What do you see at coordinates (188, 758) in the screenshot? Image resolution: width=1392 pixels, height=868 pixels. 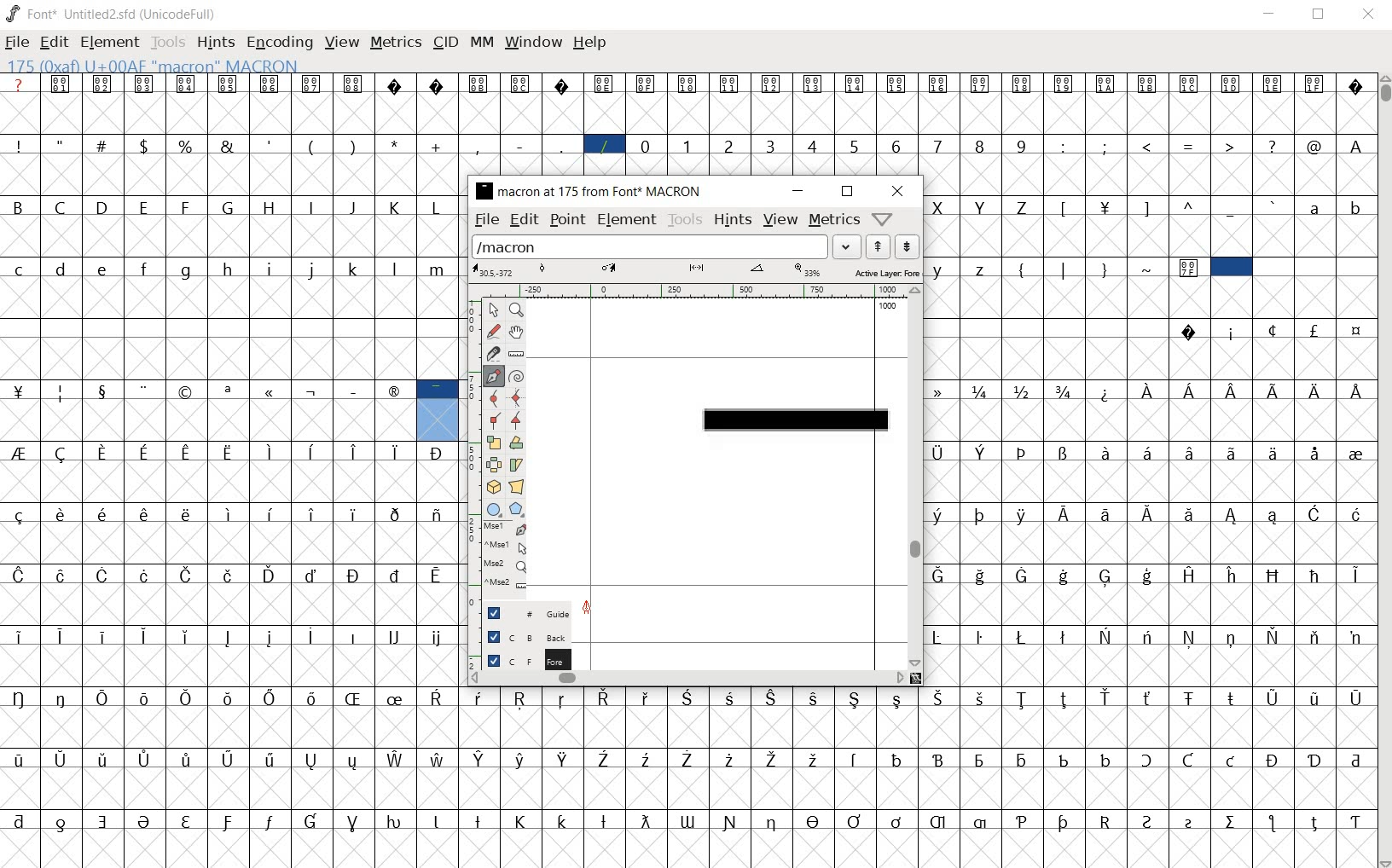 I see `Symbol` at bounding box center [188, 758].